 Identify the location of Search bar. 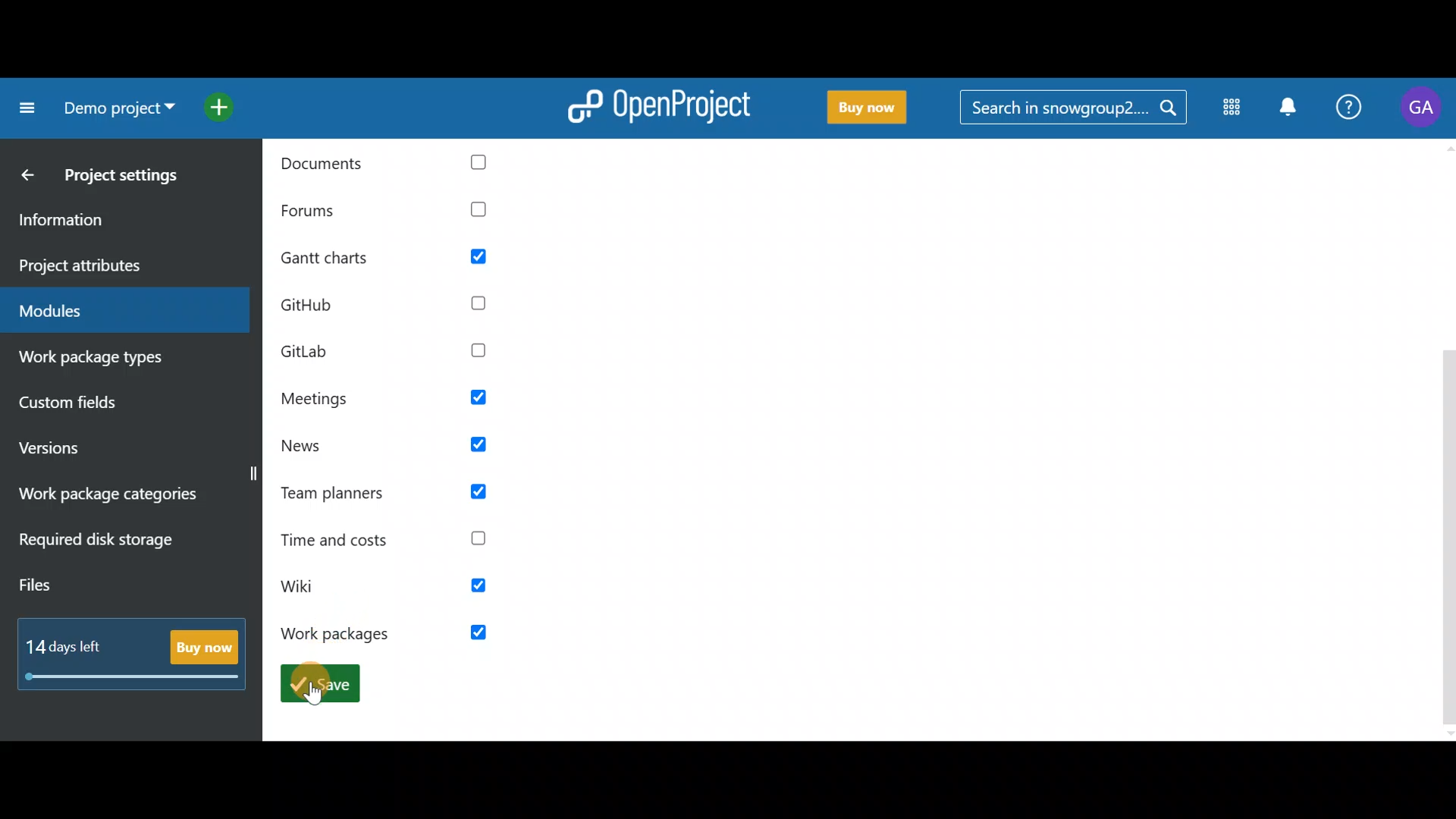
(1072, 111).